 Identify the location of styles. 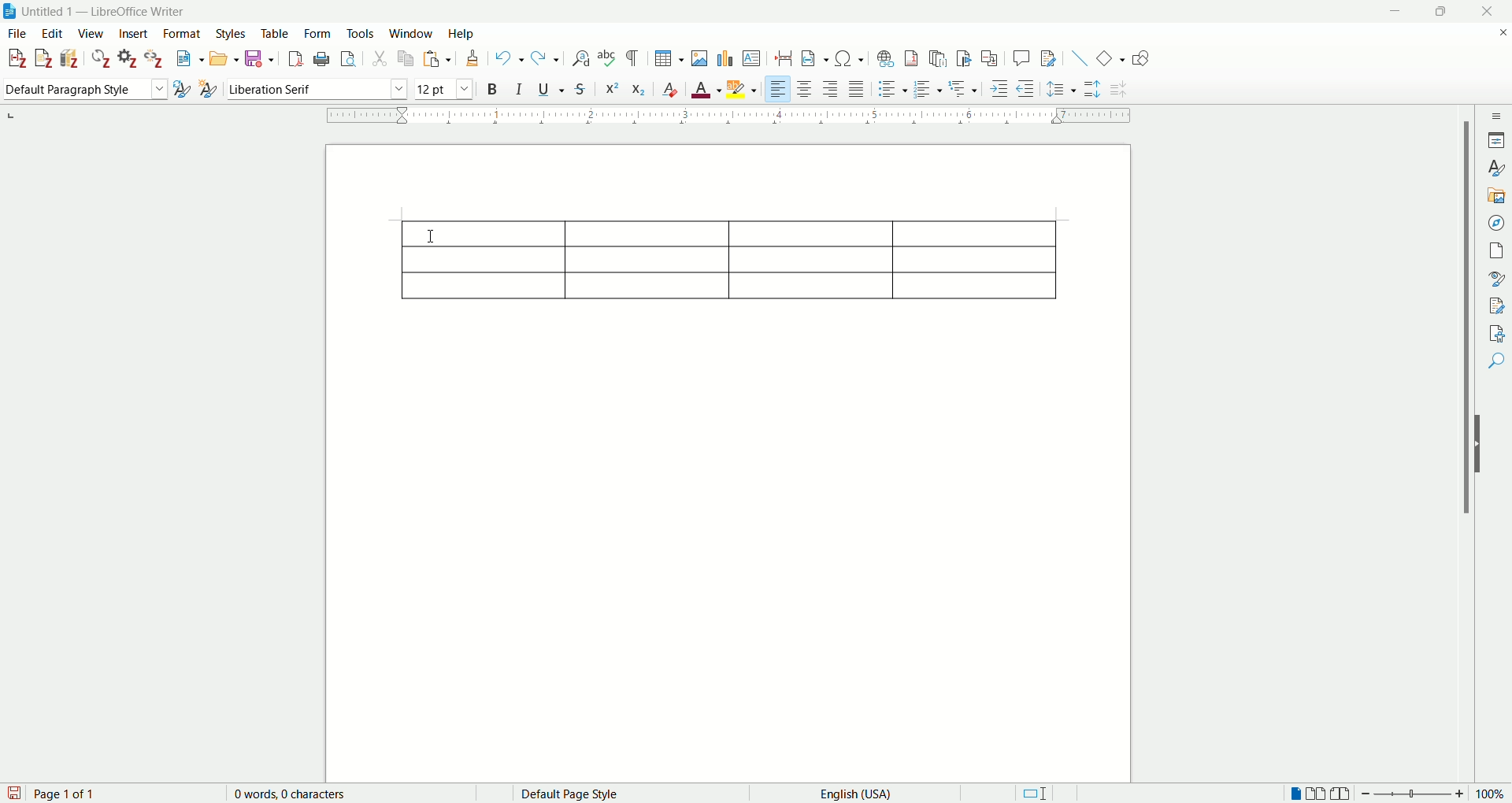
(233, 34).